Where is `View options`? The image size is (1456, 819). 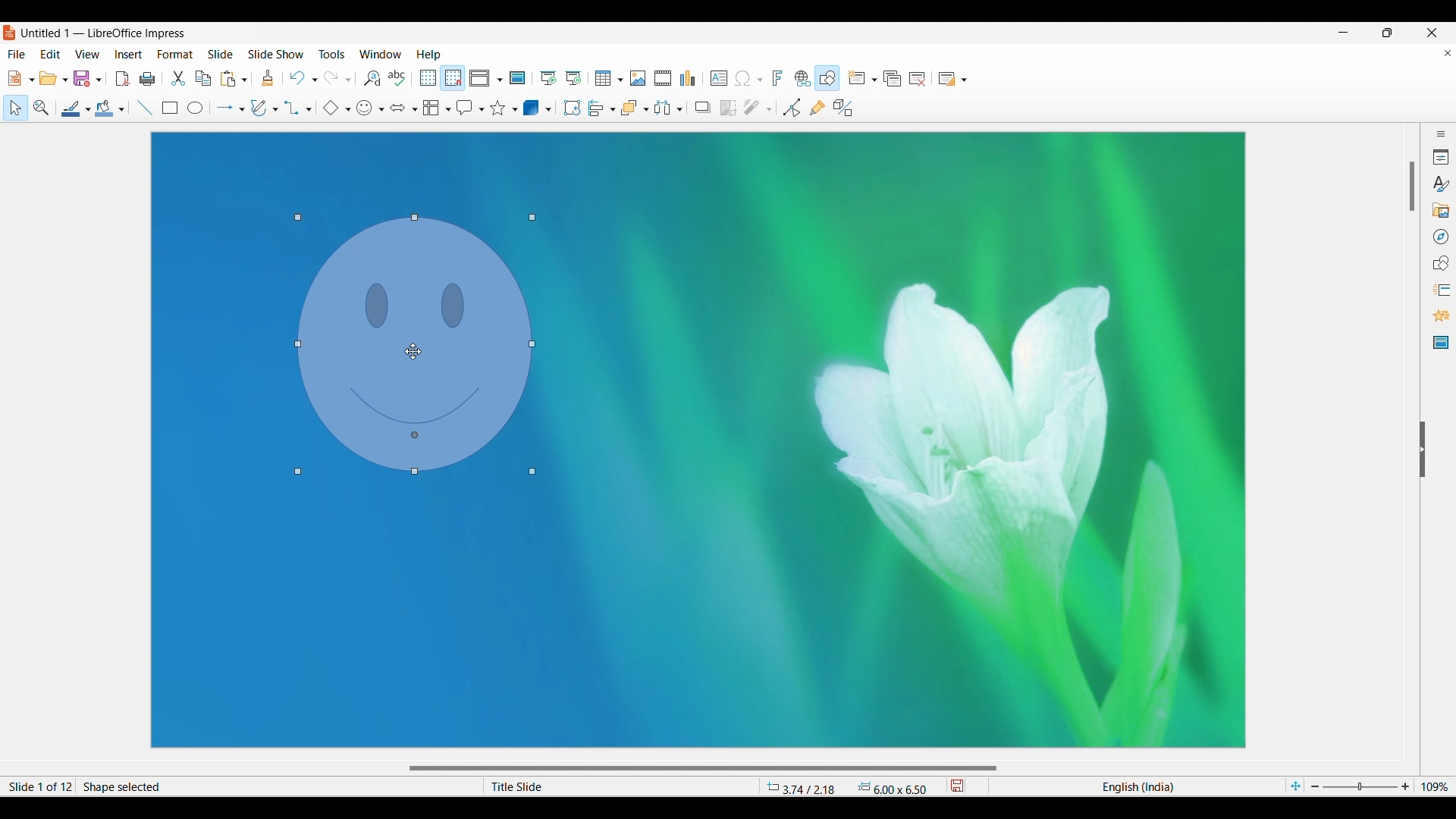
View options is located at coordinates (499, 80).